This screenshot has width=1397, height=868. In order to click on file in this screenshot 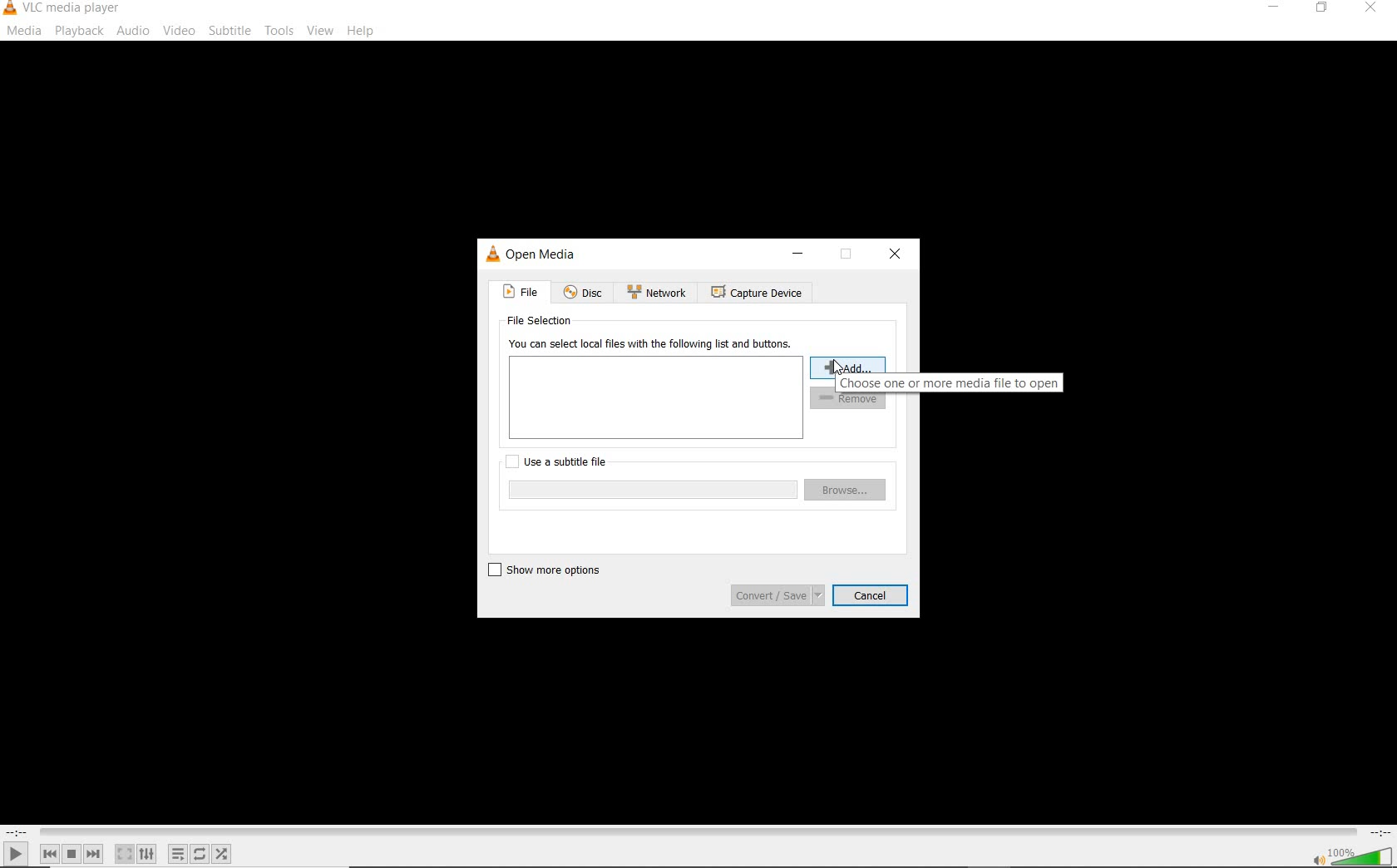, I will do `click(520, 291)`.